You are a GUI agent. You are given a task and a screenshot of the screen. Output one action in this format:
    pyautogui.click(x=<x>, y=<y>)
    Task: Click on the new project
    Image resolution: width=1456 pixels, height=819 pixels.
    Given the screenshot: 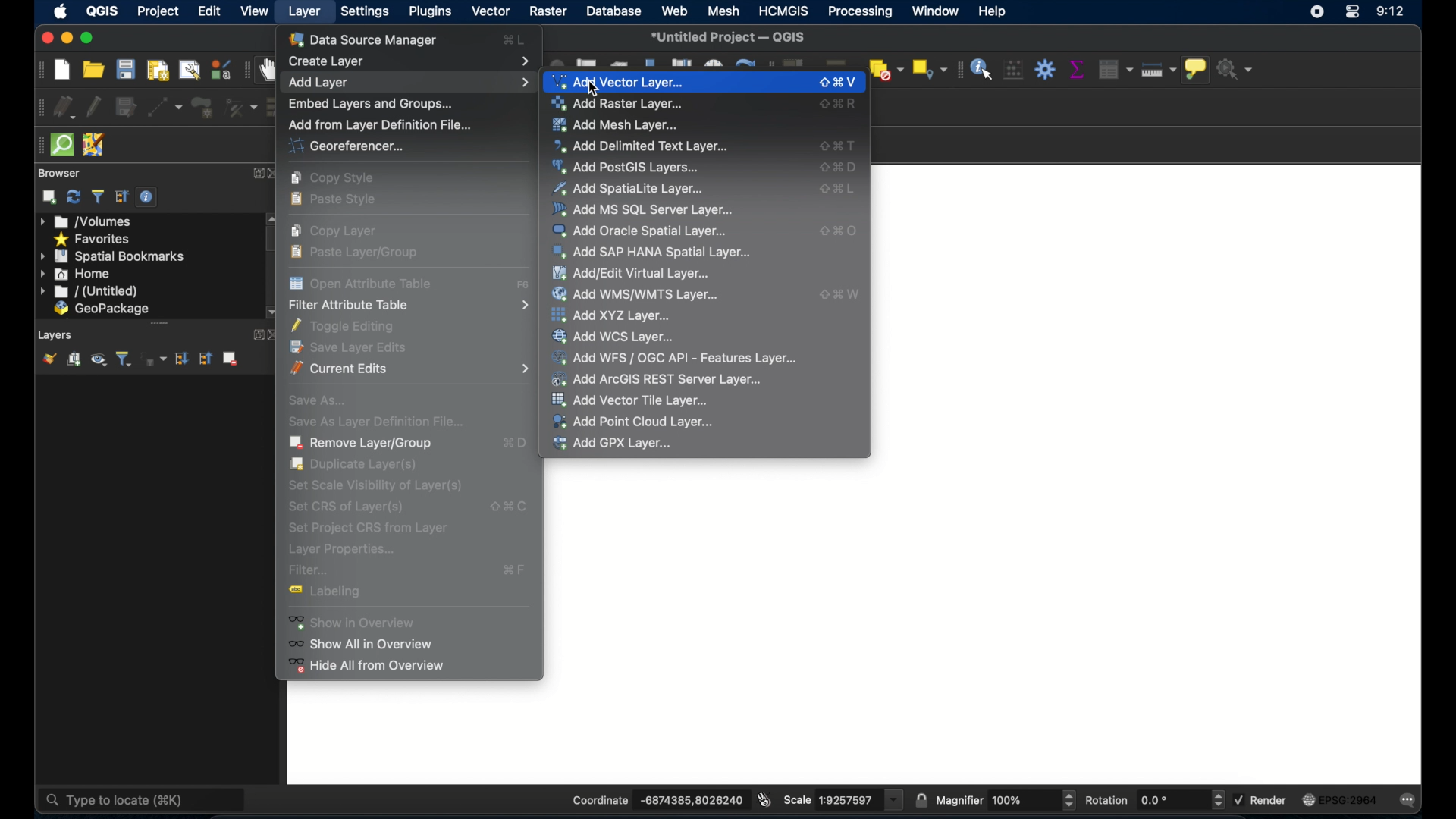 What is the action you would take?
    pyautogui.click(x=61, y=70)
    